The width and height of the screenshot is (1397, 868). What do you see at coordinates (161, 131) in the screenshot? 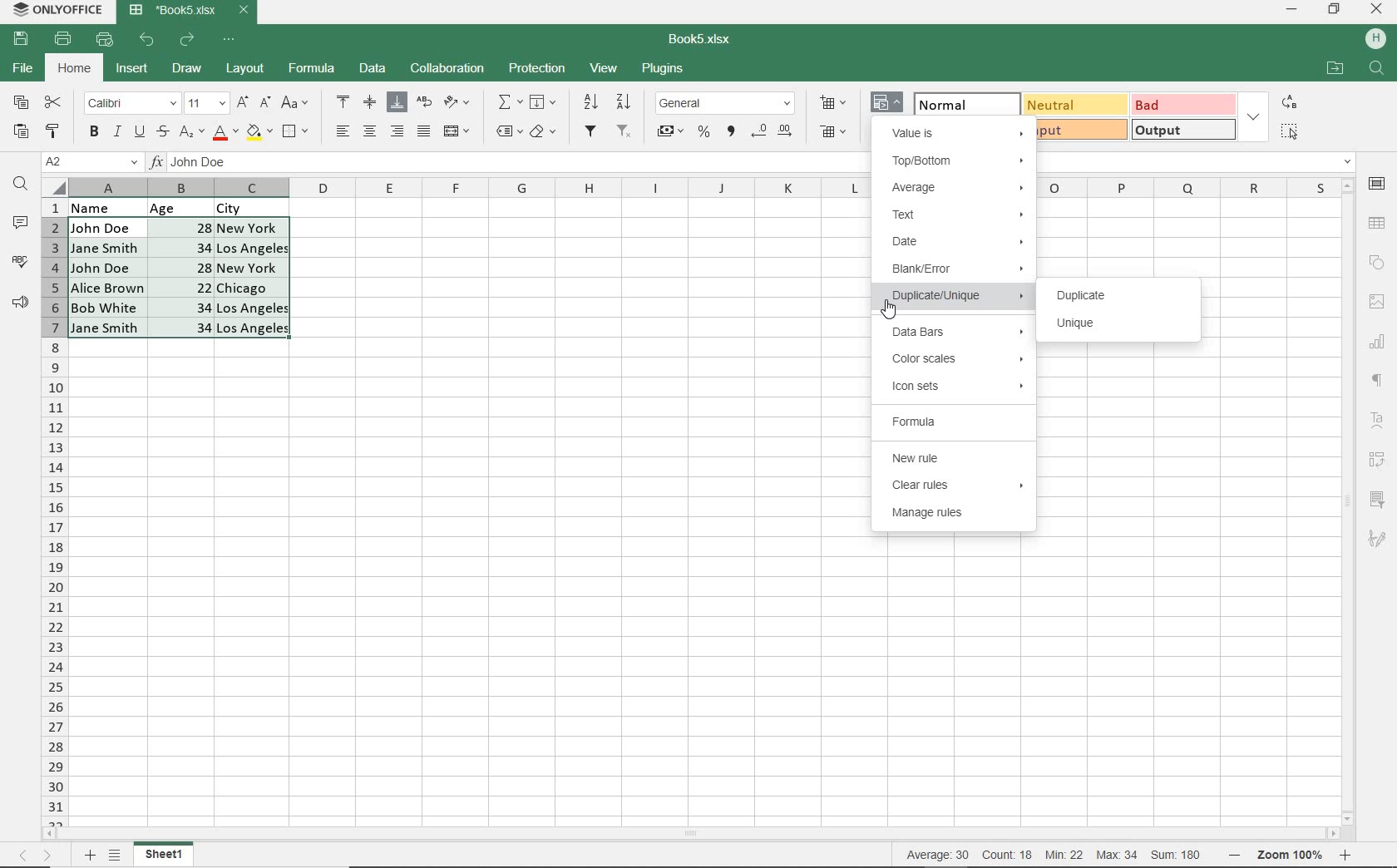
I see `STRIKETHROUGH` at bounding box center [161, 131].